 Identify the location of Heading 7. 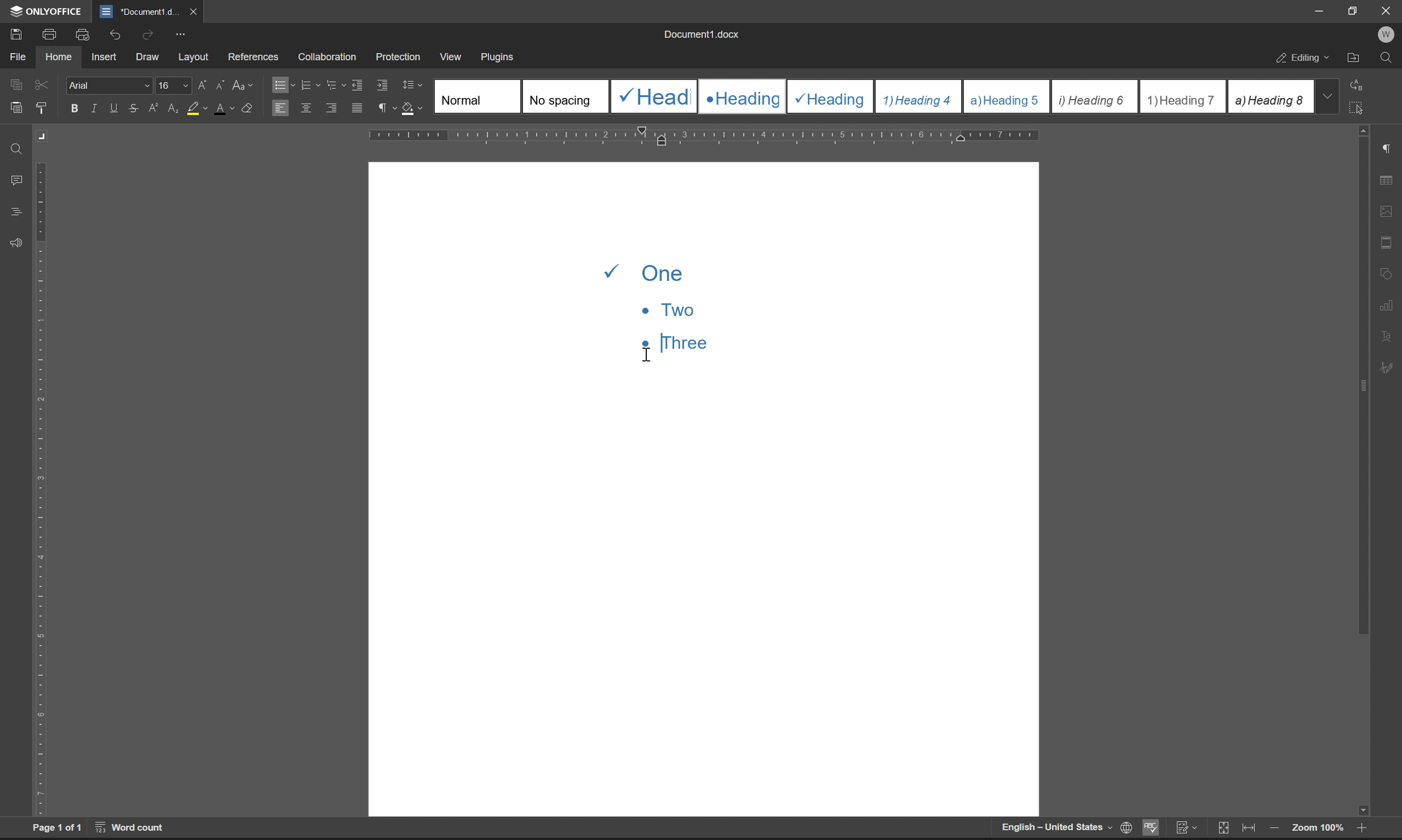
(1183, 97).